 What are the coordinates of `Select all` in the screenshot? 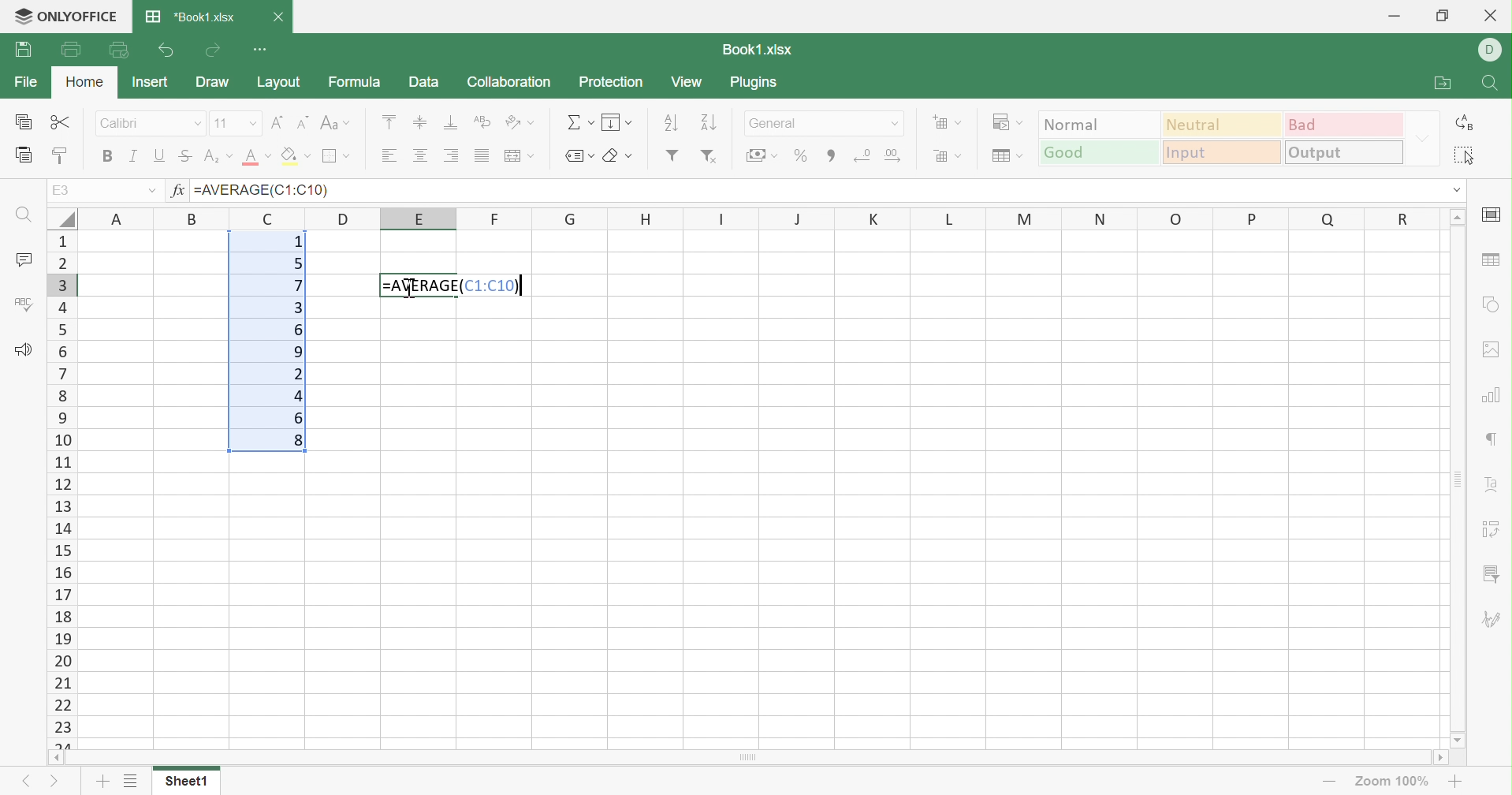 It's located at (1465, 158).